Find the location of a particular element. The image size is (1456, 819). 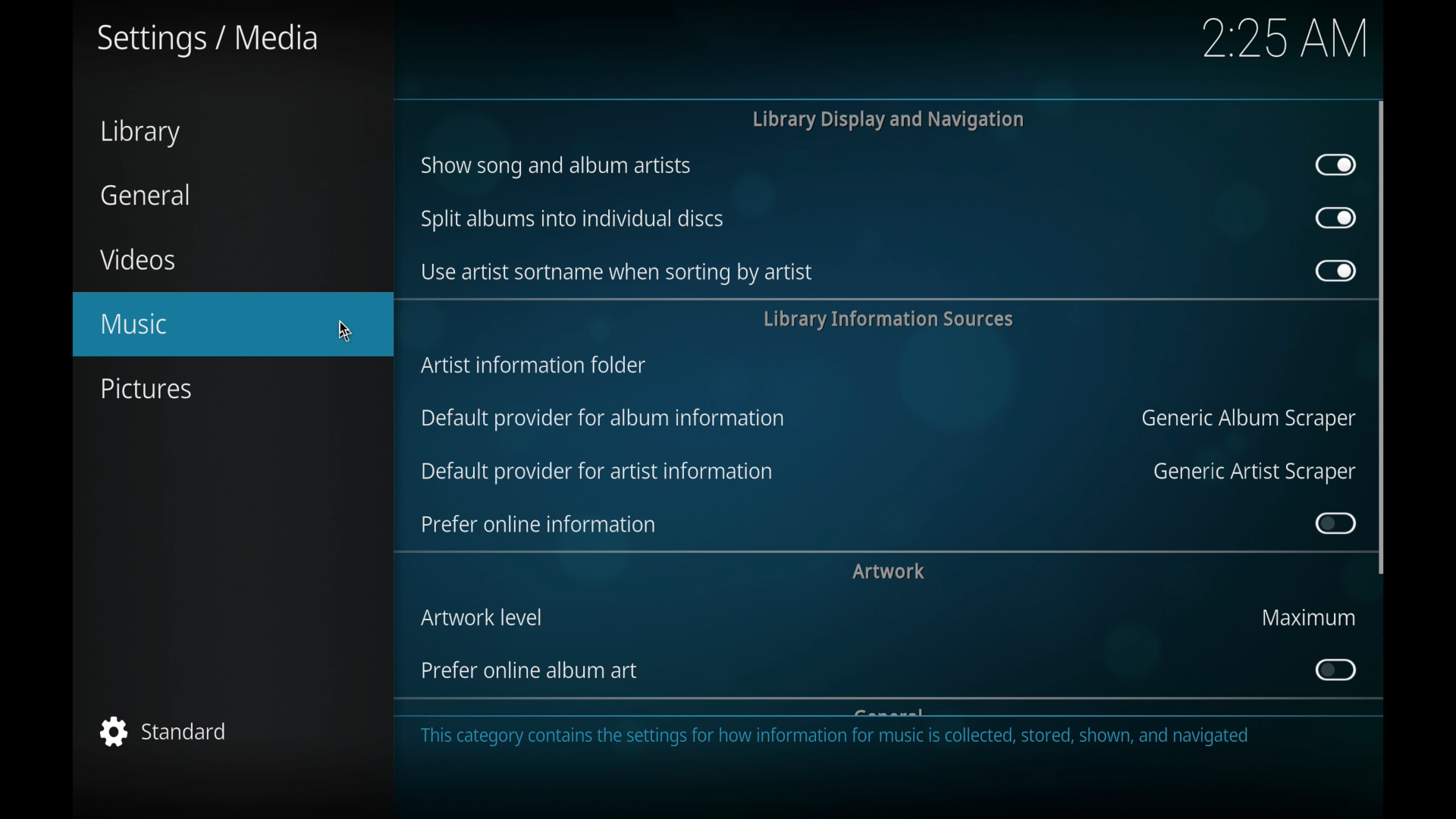

This category contains the settings for how information for music is collected, stored, shown, and navigated is located at coordinates (833, 741).